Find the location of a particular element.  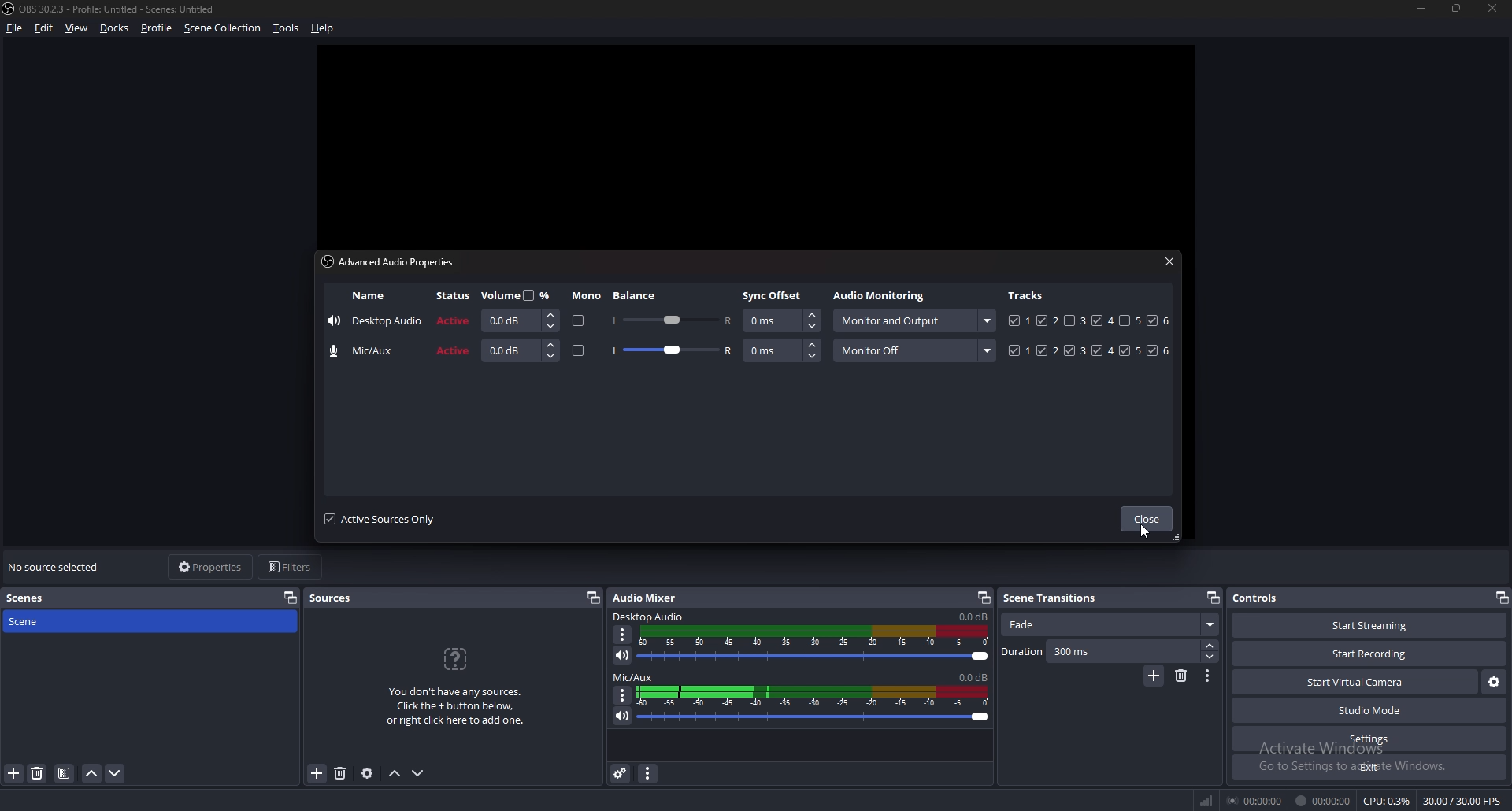

monitor off is located at coordinates (914, 350).